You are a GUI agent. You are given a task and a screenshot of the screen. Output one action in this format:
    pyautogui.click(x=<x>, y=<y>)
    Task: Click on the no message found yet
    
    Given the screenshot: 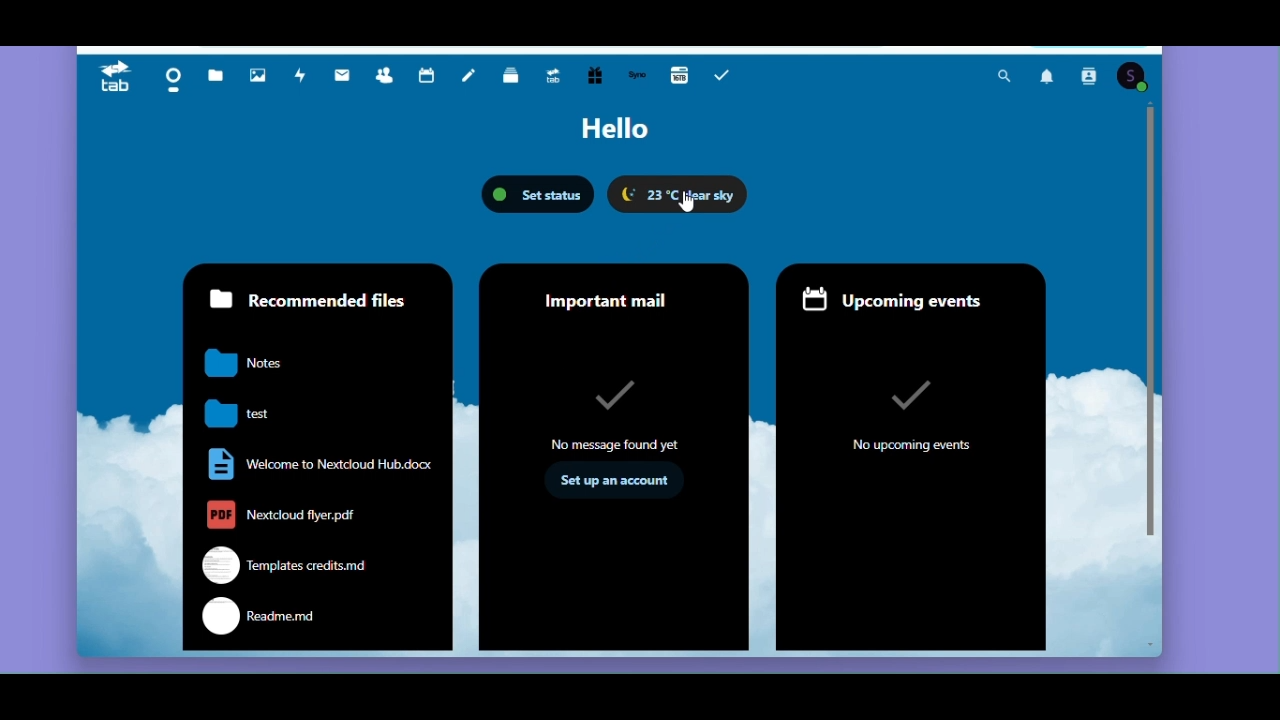 What is the action you would take?
    pyautogui.click(x=621, y=415)
    